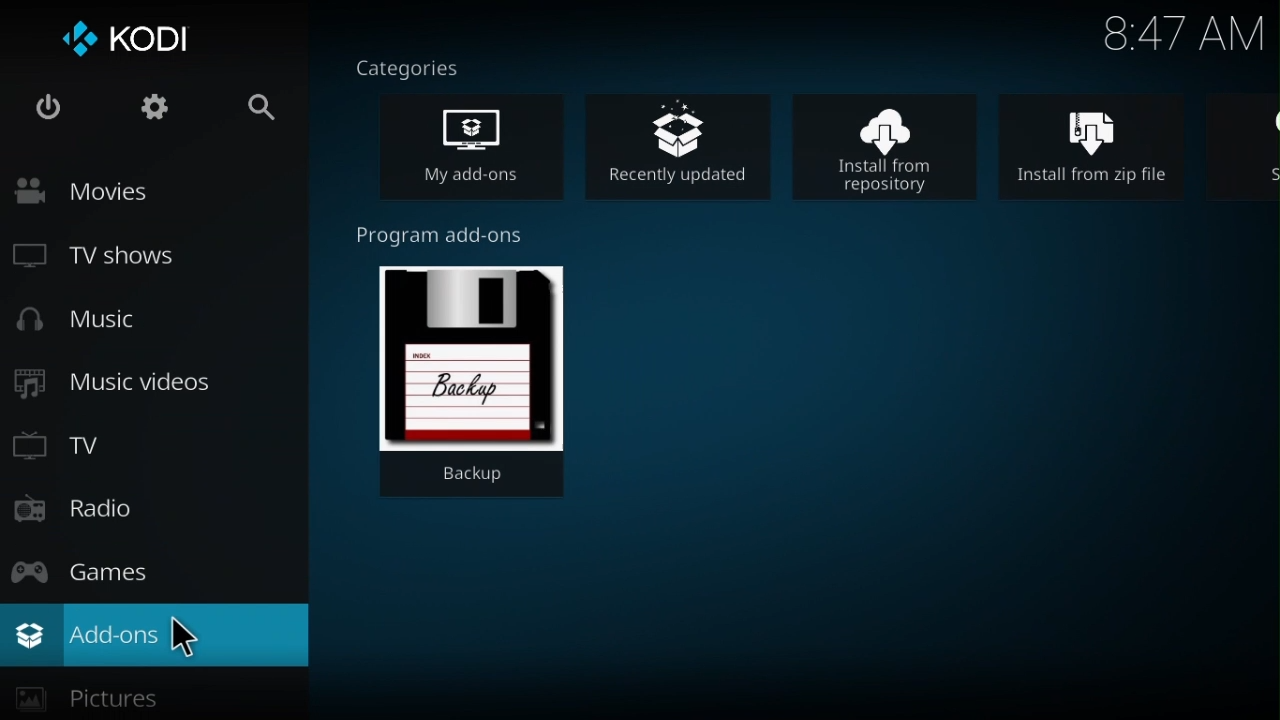 This screenshot has width=1280, height=720. I want to click on pictures, so click(146, 703).